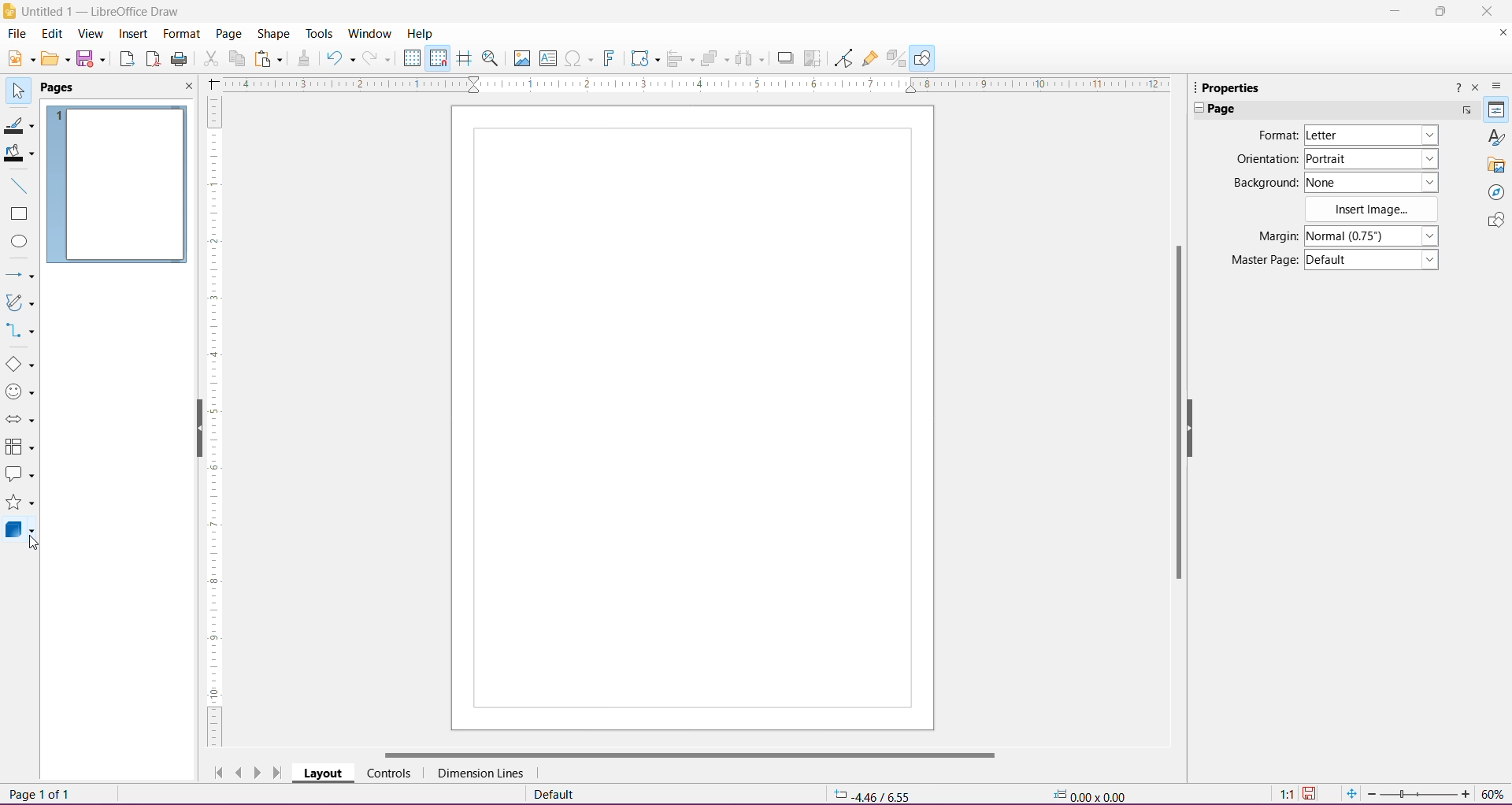 This screenshot has width=1512, height=805. What do you see at coordinates (1286, 795) in the screenshot?
I see `Scaling factor of Document` at bounding box center [1286, 795].